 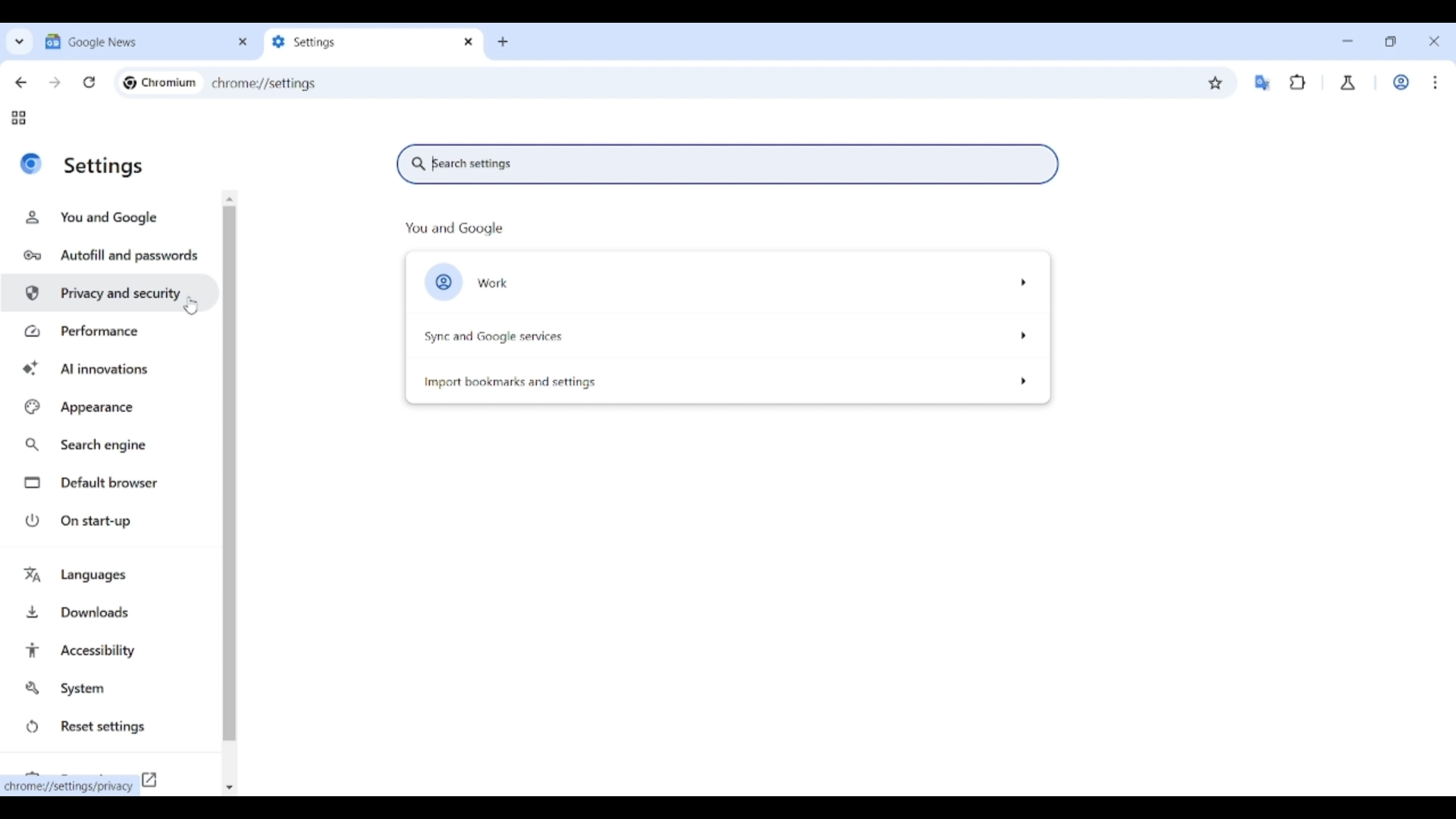 I want to click on Appearance, so click(x=110, y=407).